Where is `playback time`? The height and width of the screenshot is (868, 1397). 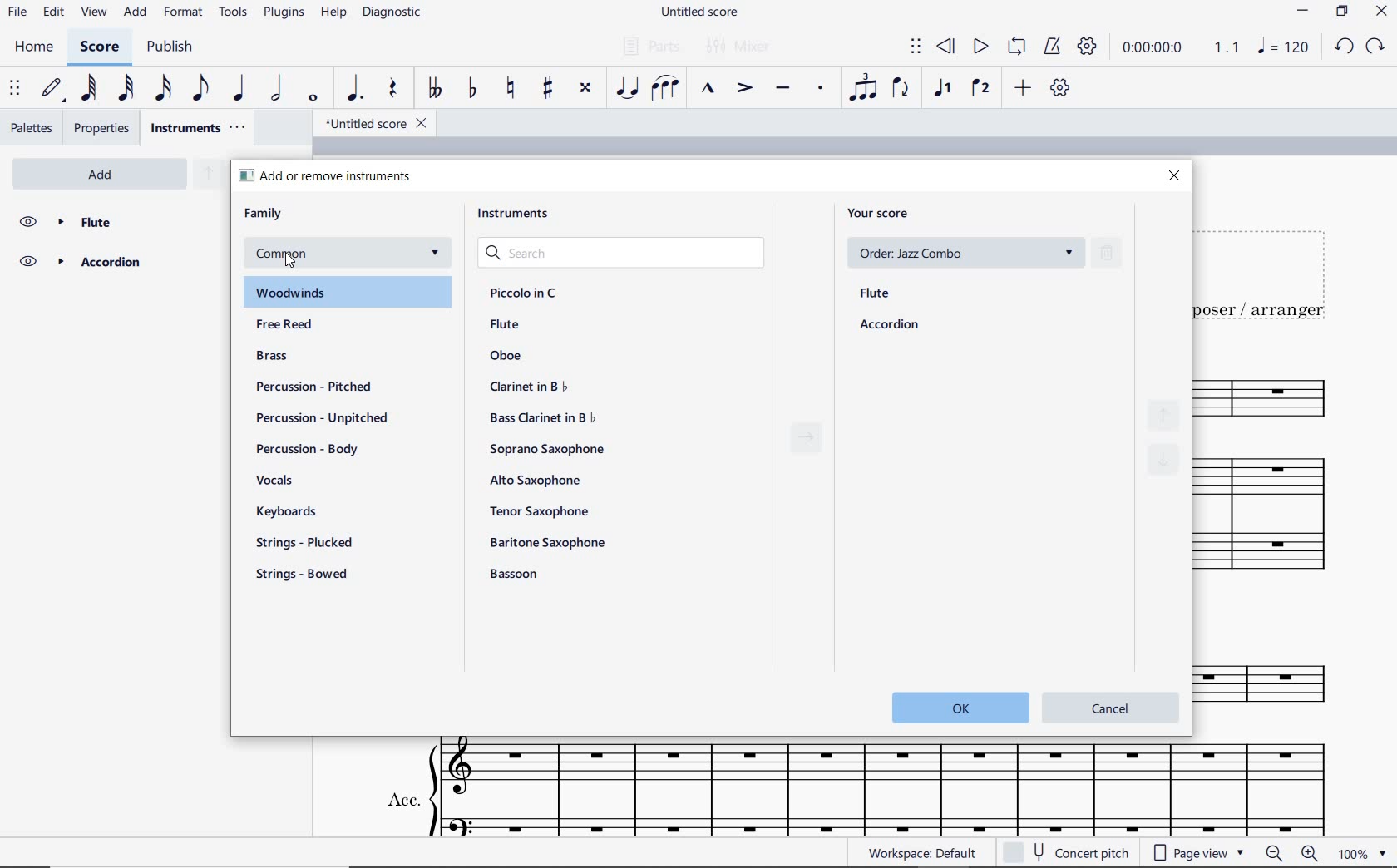 playback time is located at coordinates (1156, 50).